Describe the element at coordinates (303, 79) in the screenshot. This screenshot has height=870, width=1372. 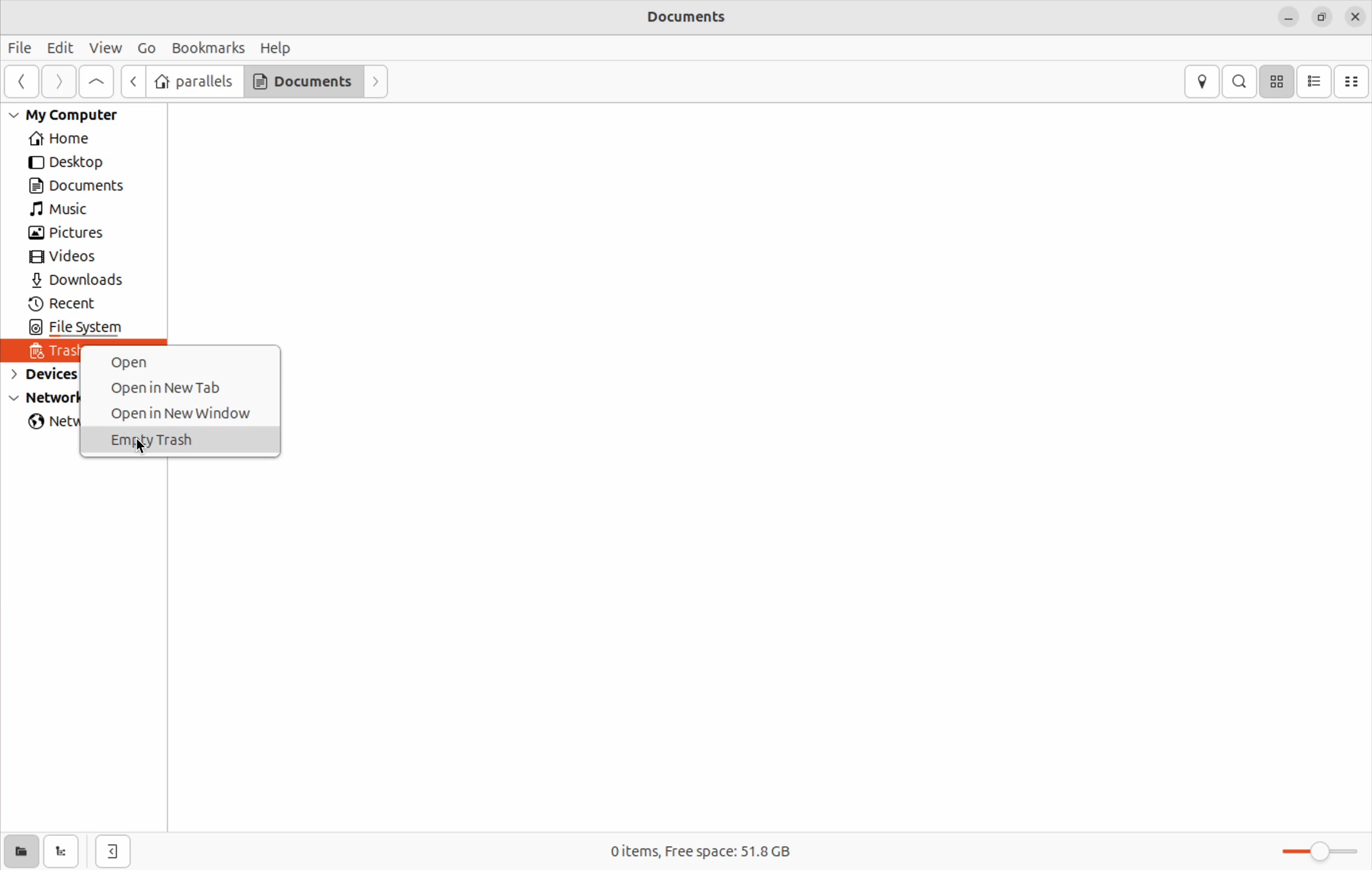
I see `Documents` at that location.